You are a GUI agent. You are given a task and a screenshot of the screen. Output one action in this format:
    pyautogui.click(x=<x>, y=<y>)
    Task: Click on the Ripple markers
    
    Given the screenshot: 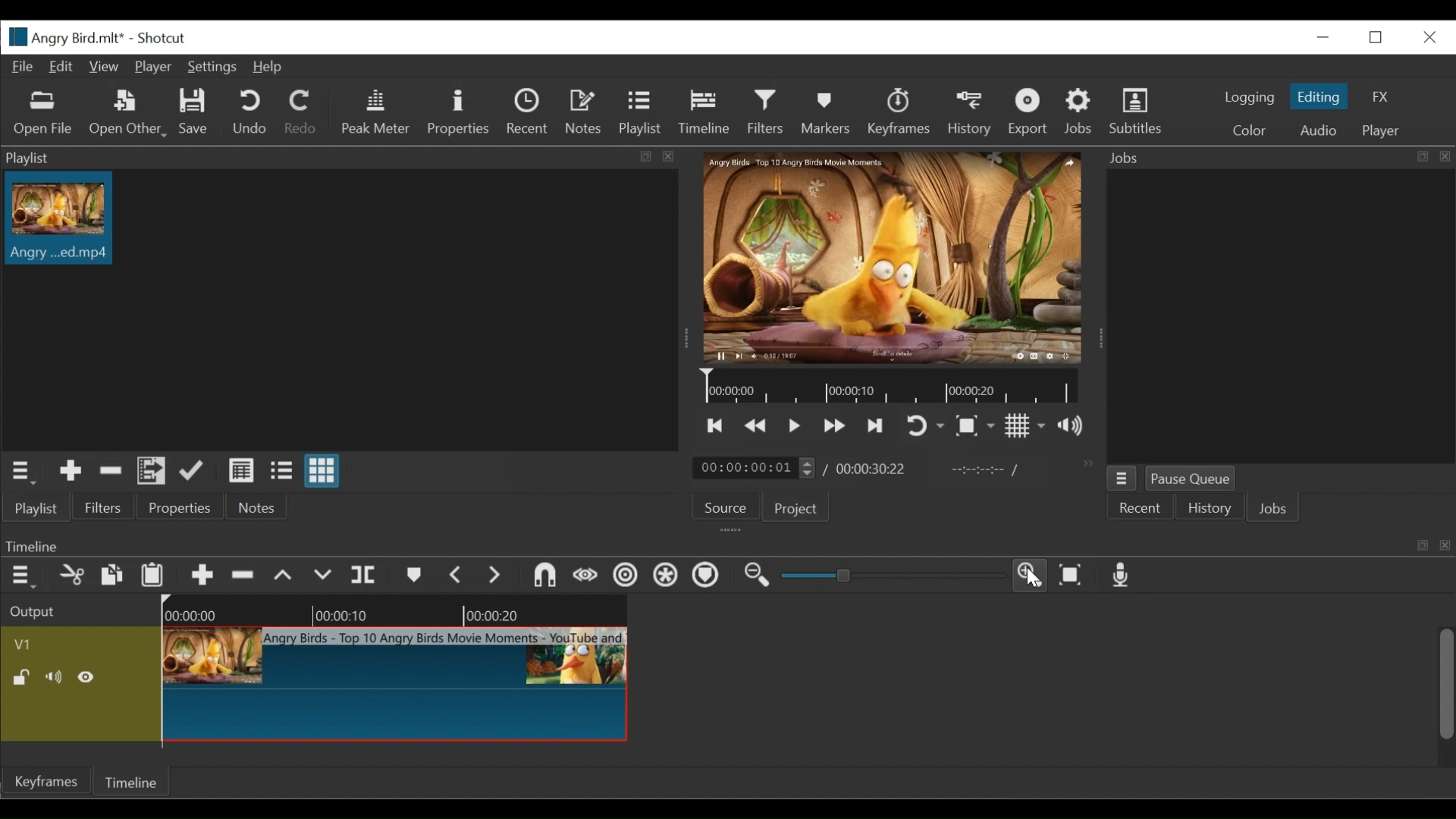 What is the action you would take?
    pyautogui.click(x=709, y=576)
    